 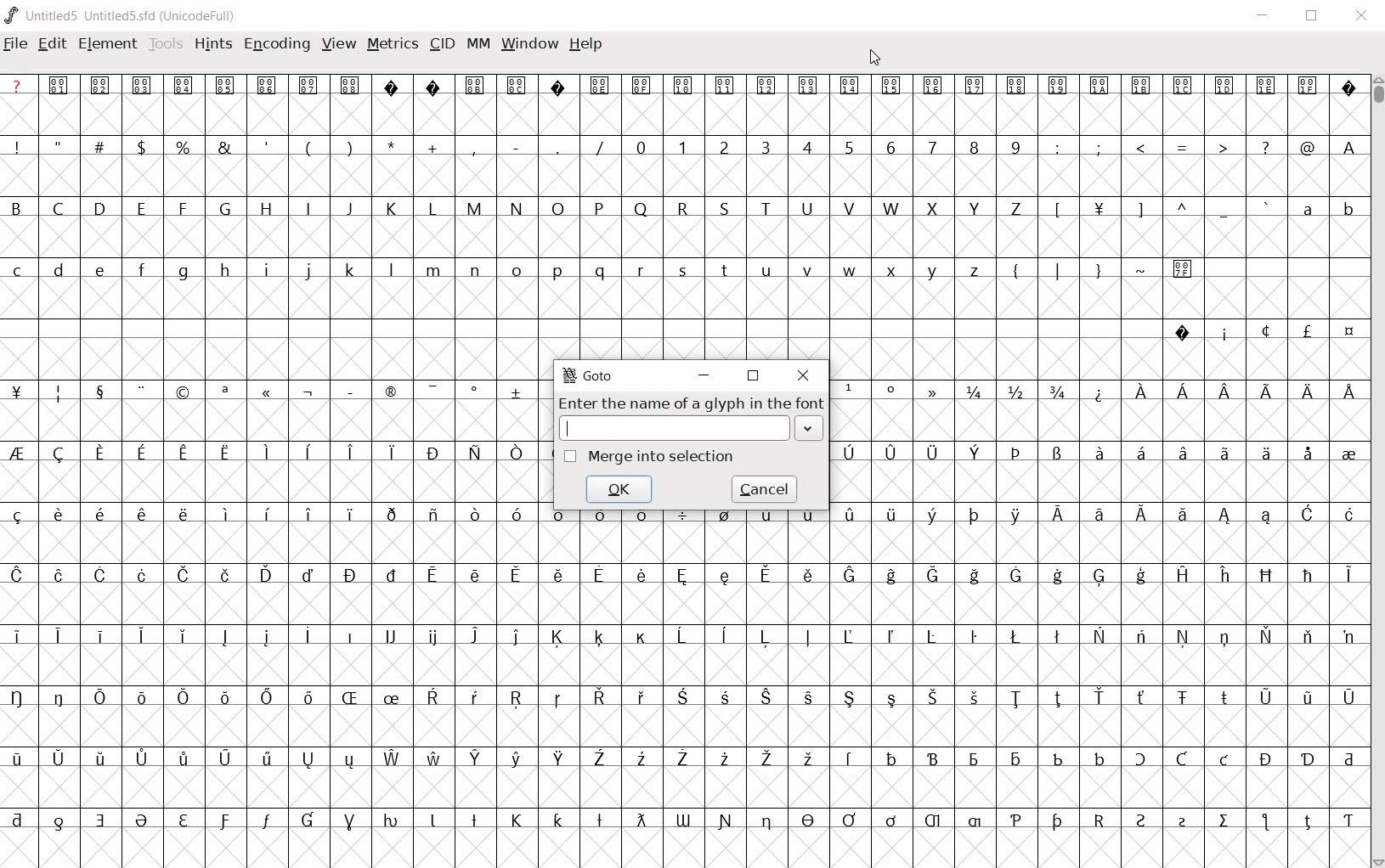 I want to click on SCROLLBAR, so click(x=1377, y=471).